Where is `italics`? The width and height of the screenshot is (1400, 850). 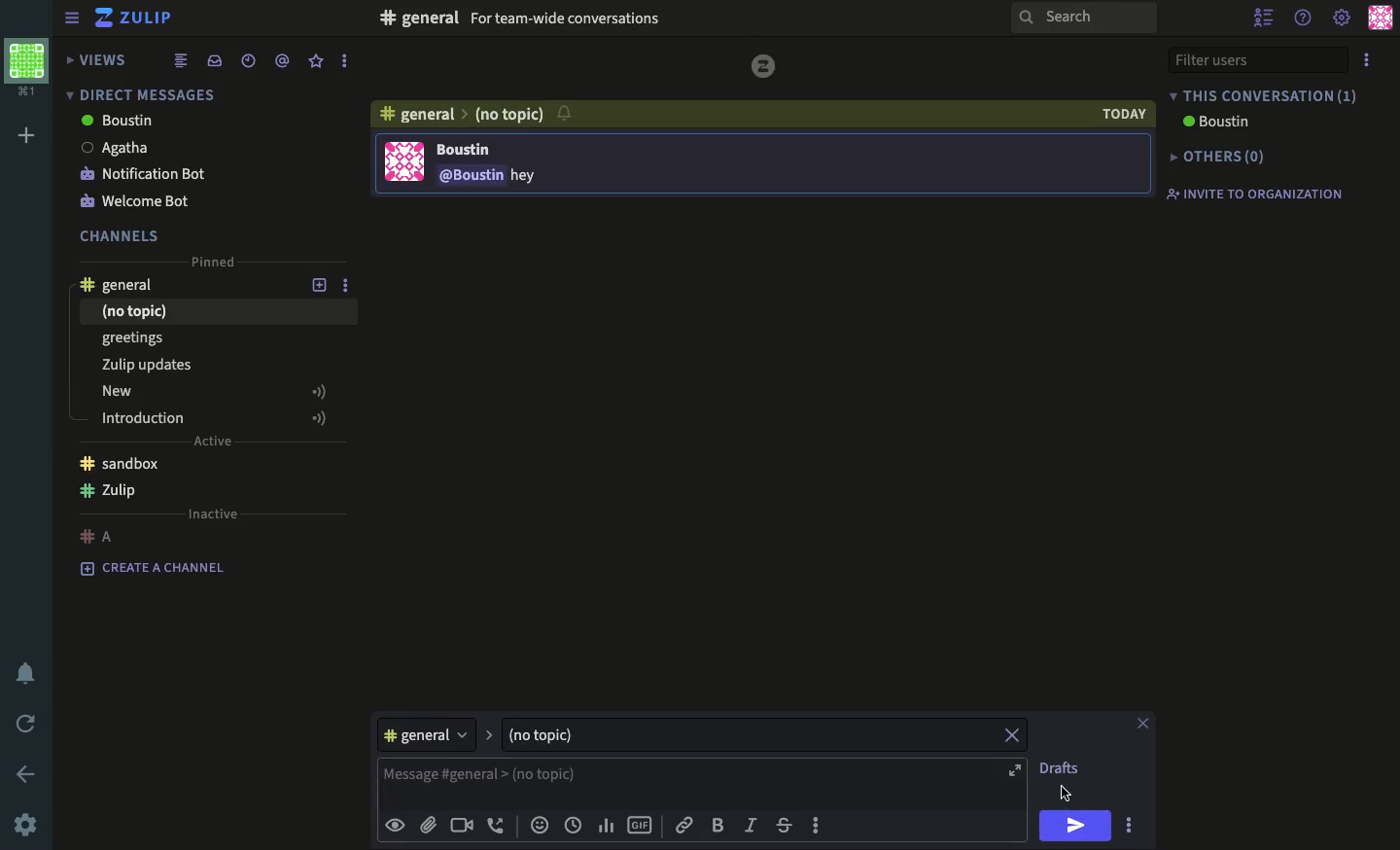 italics is located at coordinates (751, 826).